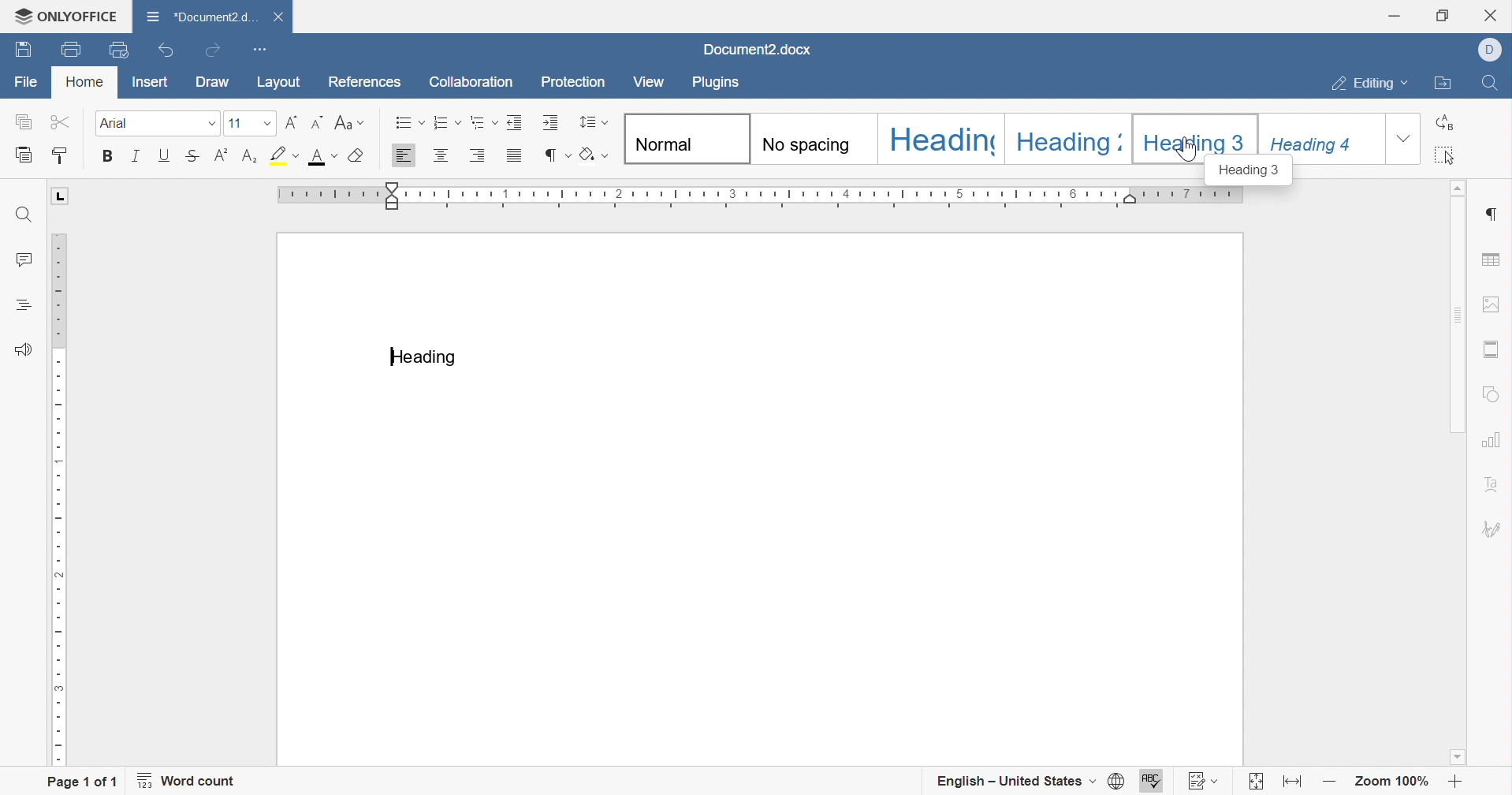 This screenshot has width=1512, height=795. Describe the element at coordinates (367, 80) in the screenshot. I see `References` at that location.